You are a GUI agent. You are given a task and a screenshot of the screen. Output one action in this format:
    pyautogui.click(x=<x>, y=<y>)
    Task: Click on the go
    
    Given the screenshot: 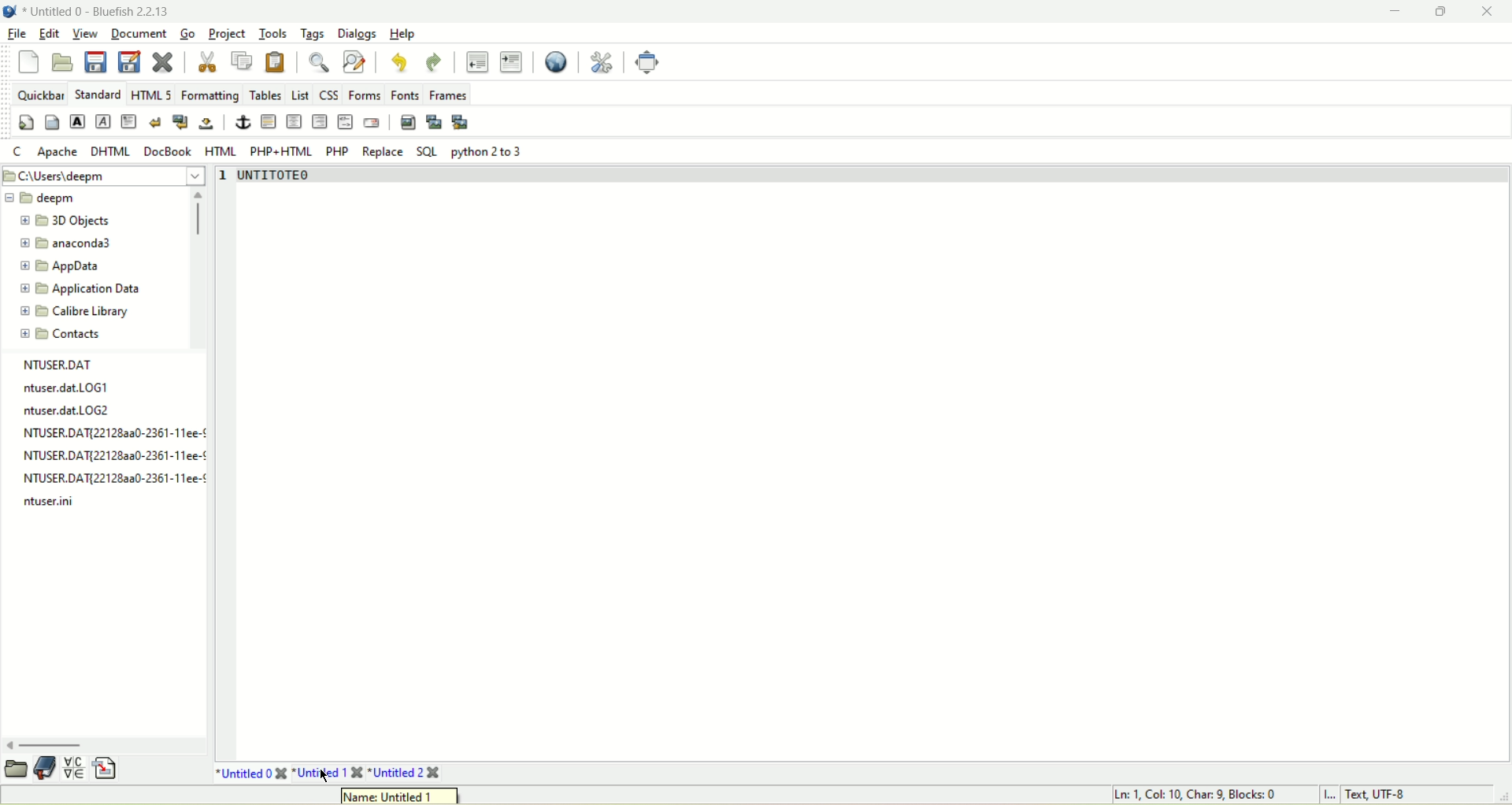 What is the action you would take?
    pyautogui.click(x=188, y=33)
    